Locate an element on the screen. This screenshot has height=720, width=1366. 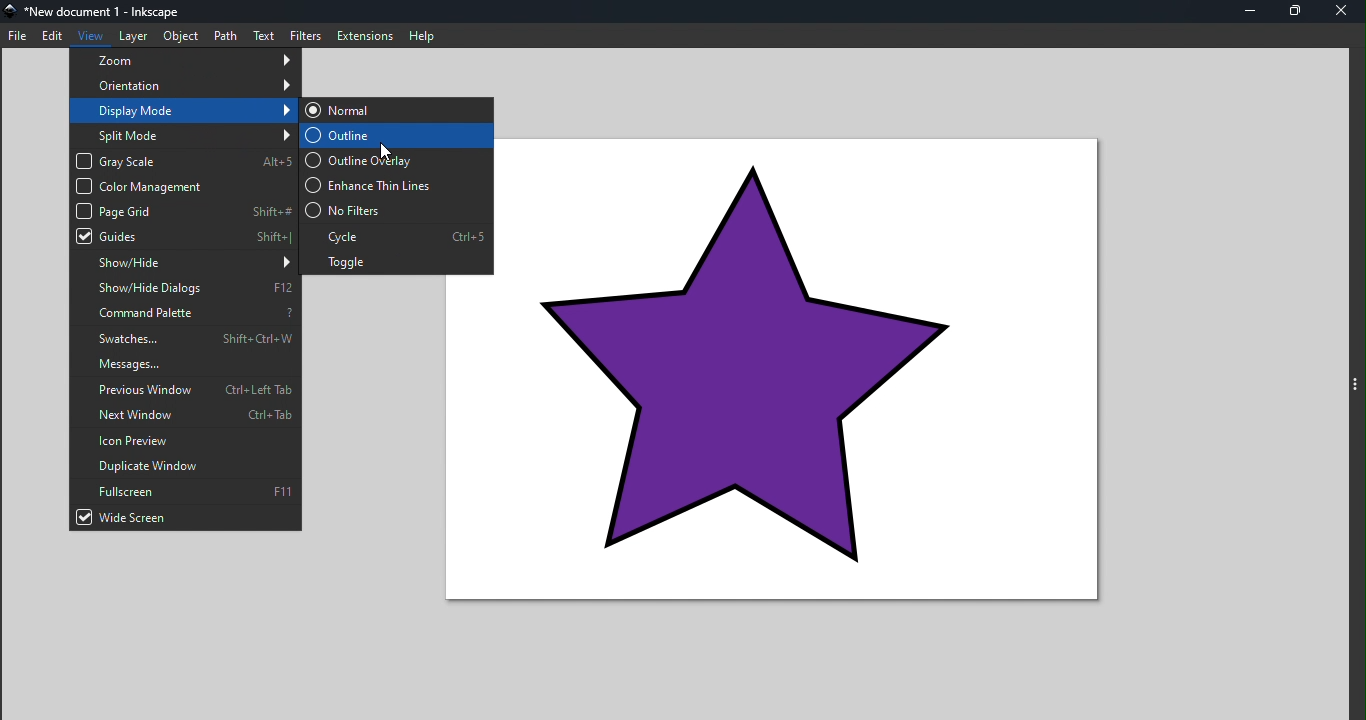
Toggle is located at coordinates (396, 260).